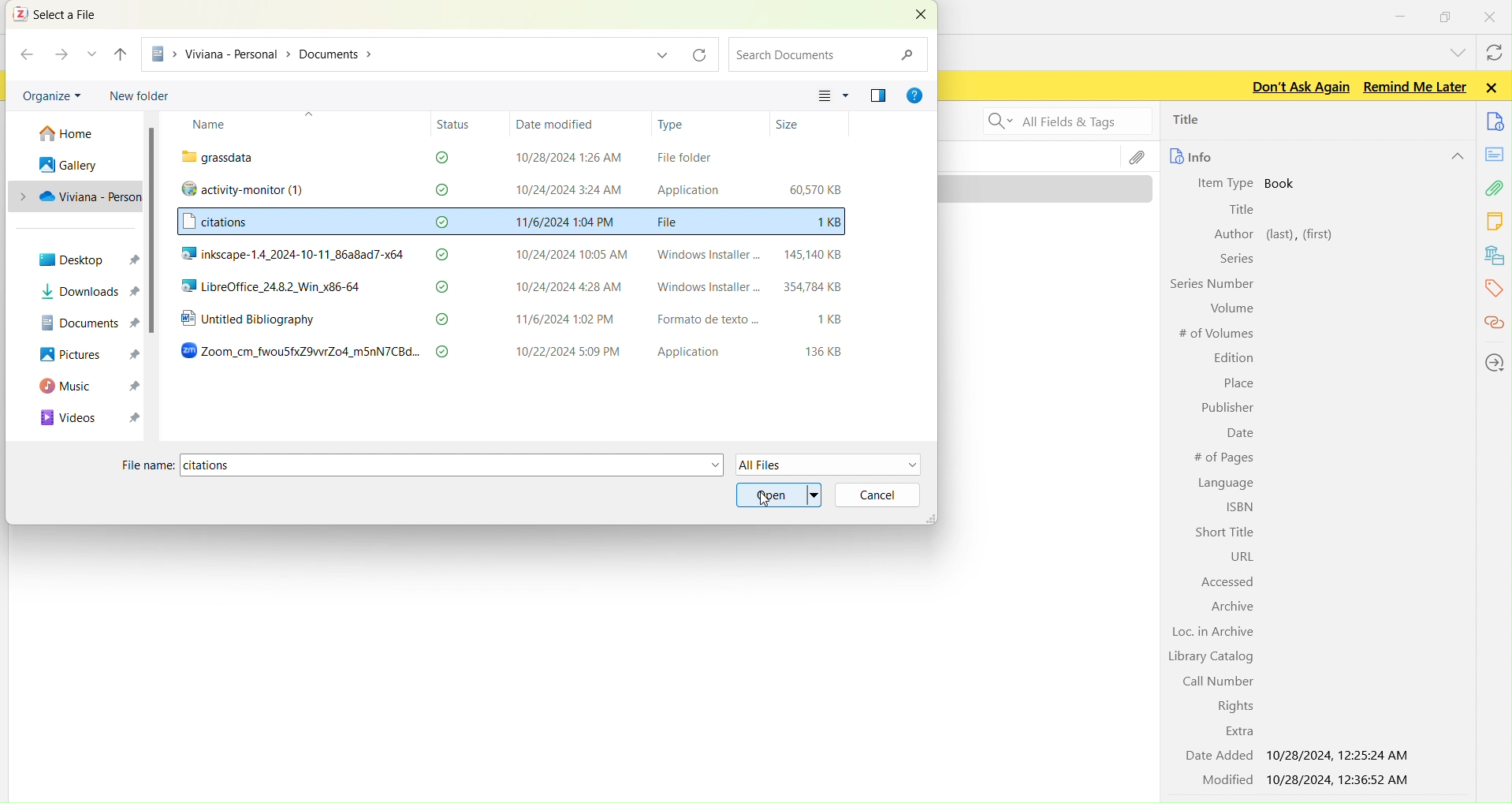 This screenshot has height=803, width=1512. I want to click on check, so click(445, 189).